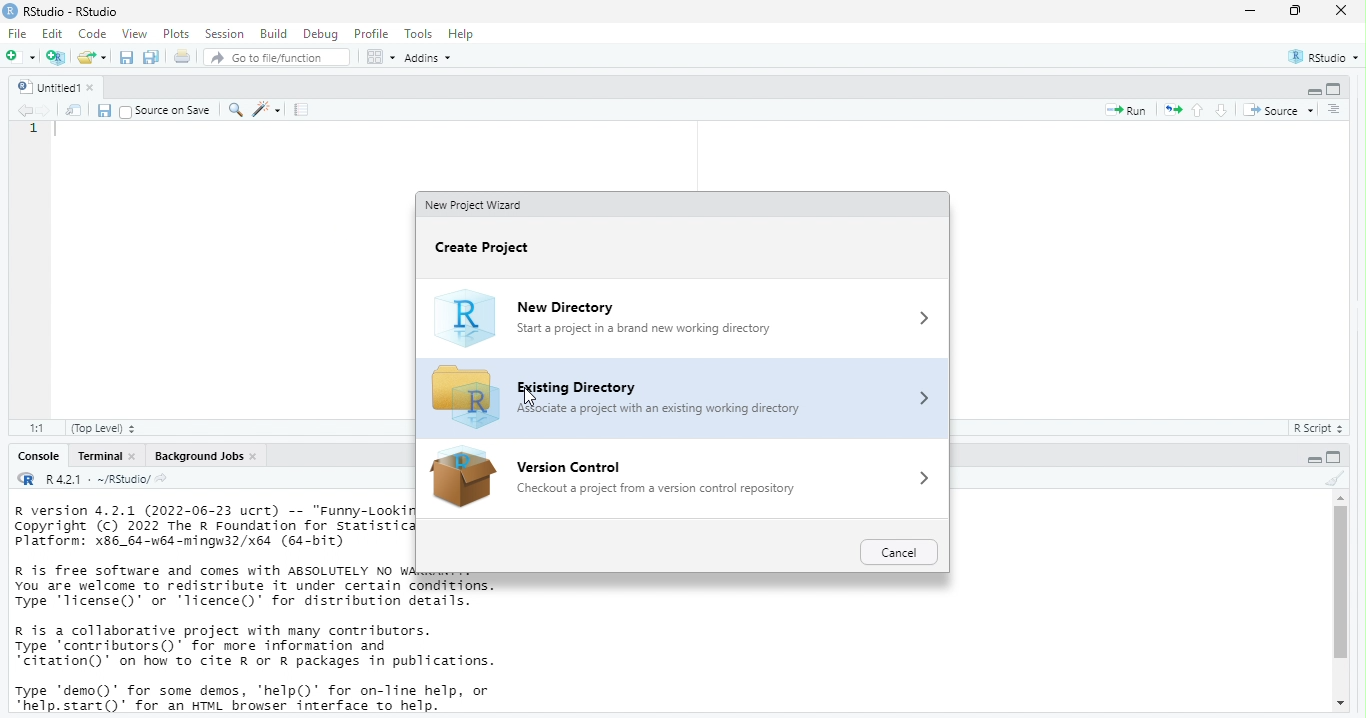  I want to click on R Script, so click(1317, 429).